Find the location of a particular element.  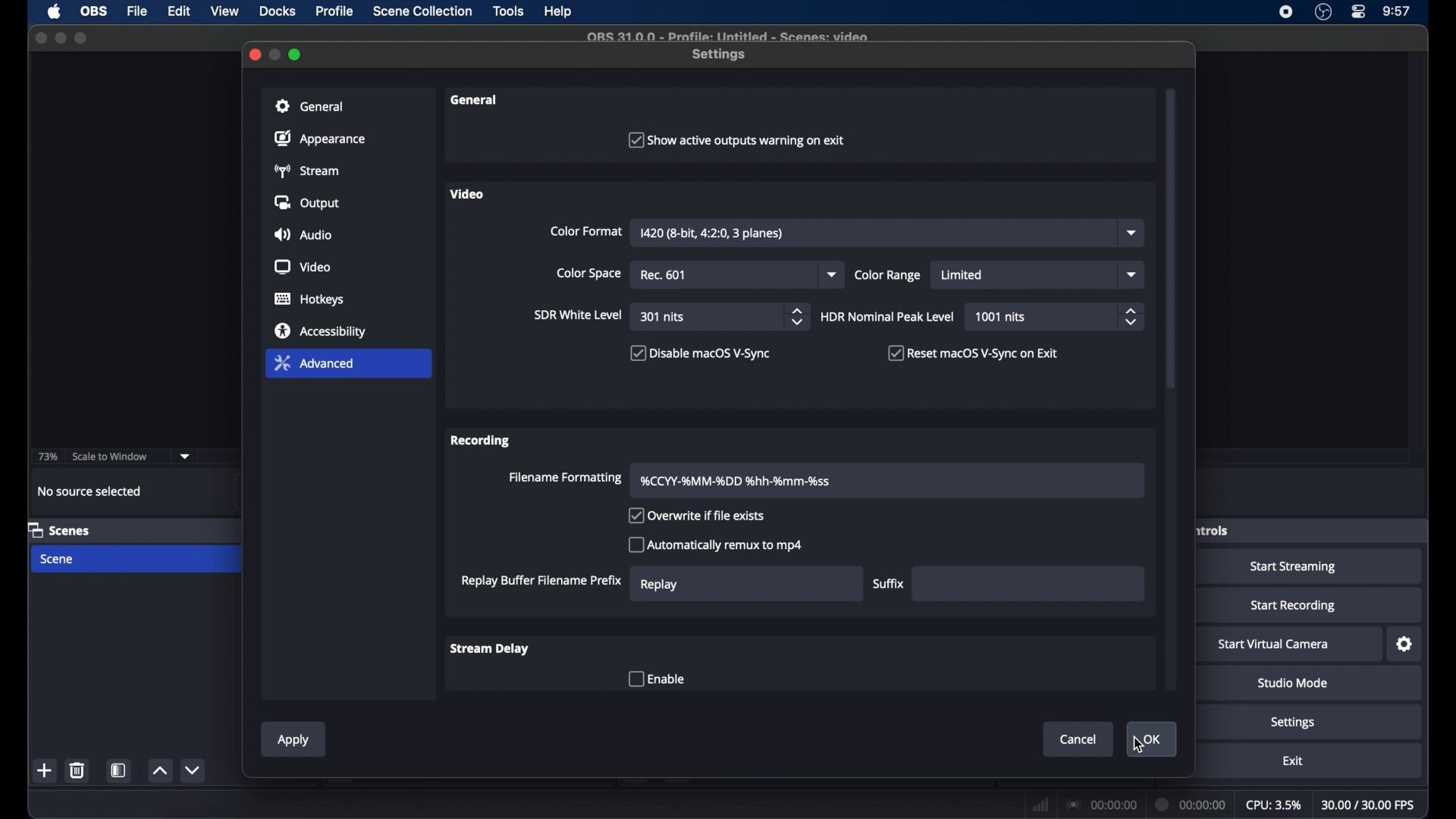

appearance is located at coordinates (320, 138).